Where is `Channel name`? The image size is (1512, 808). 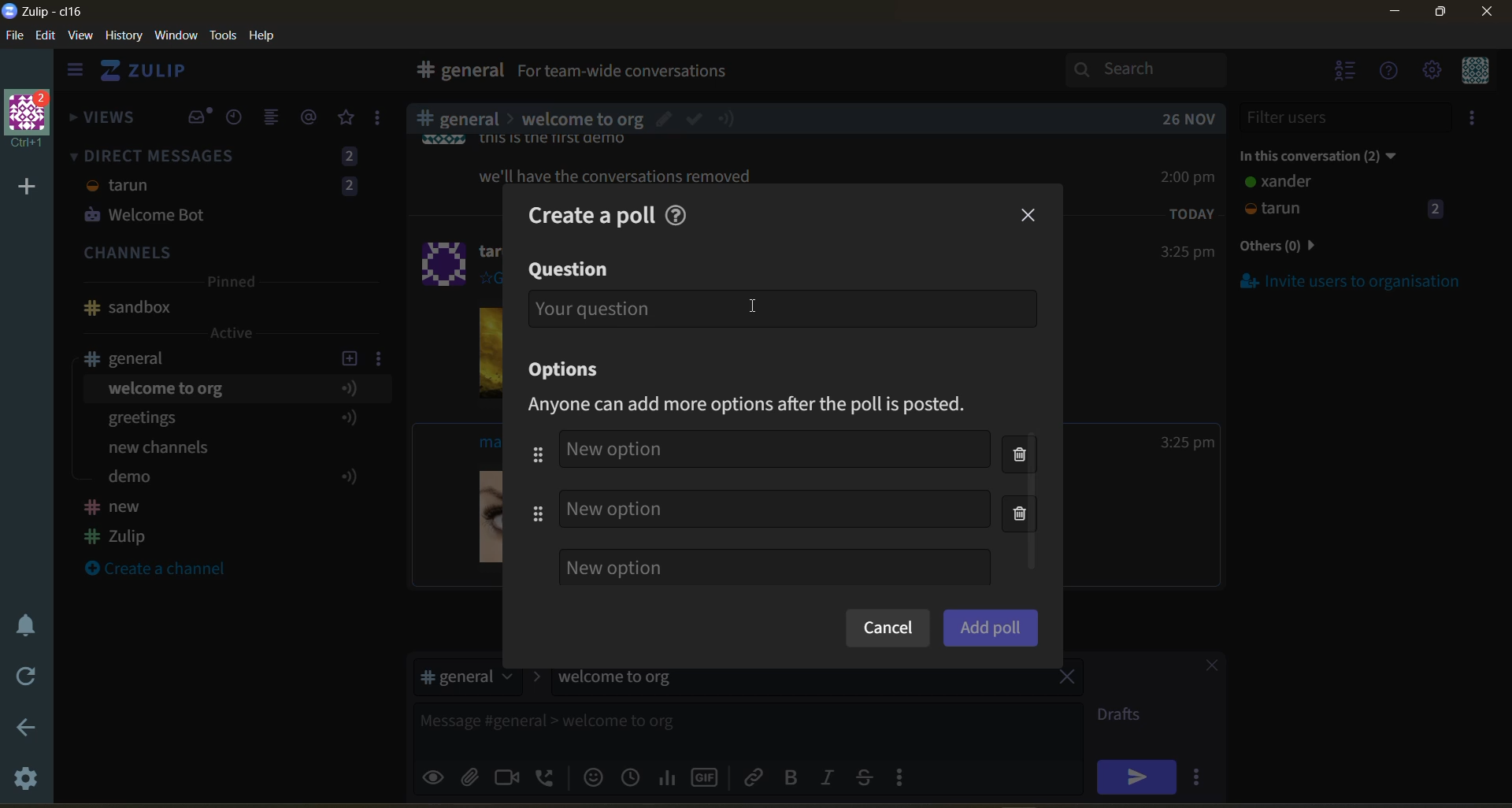 Channel name is located at coordinates (128, 308).